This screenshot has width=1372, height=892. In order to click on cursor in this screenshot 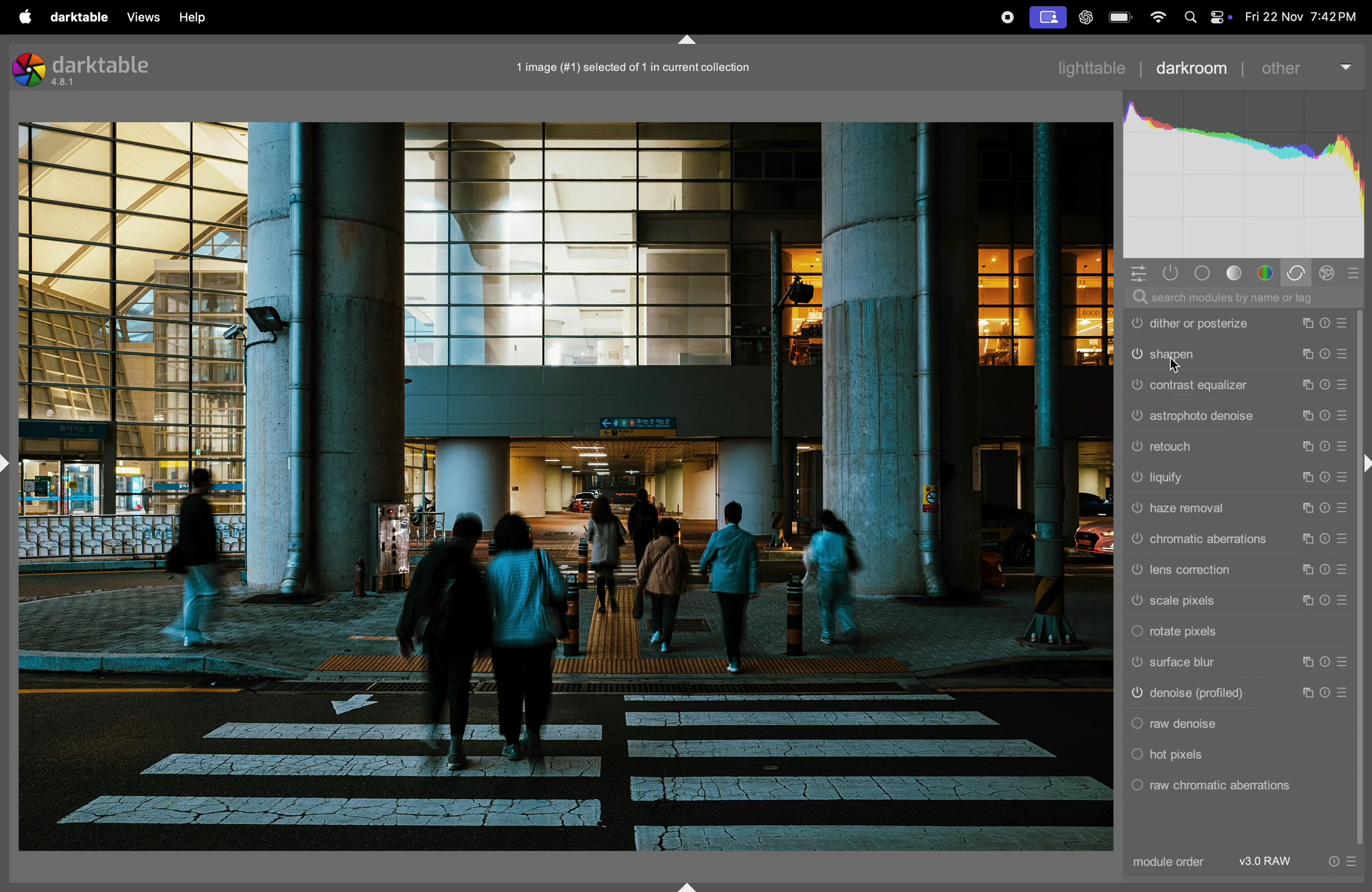, I will do `click(1177, 366)`.